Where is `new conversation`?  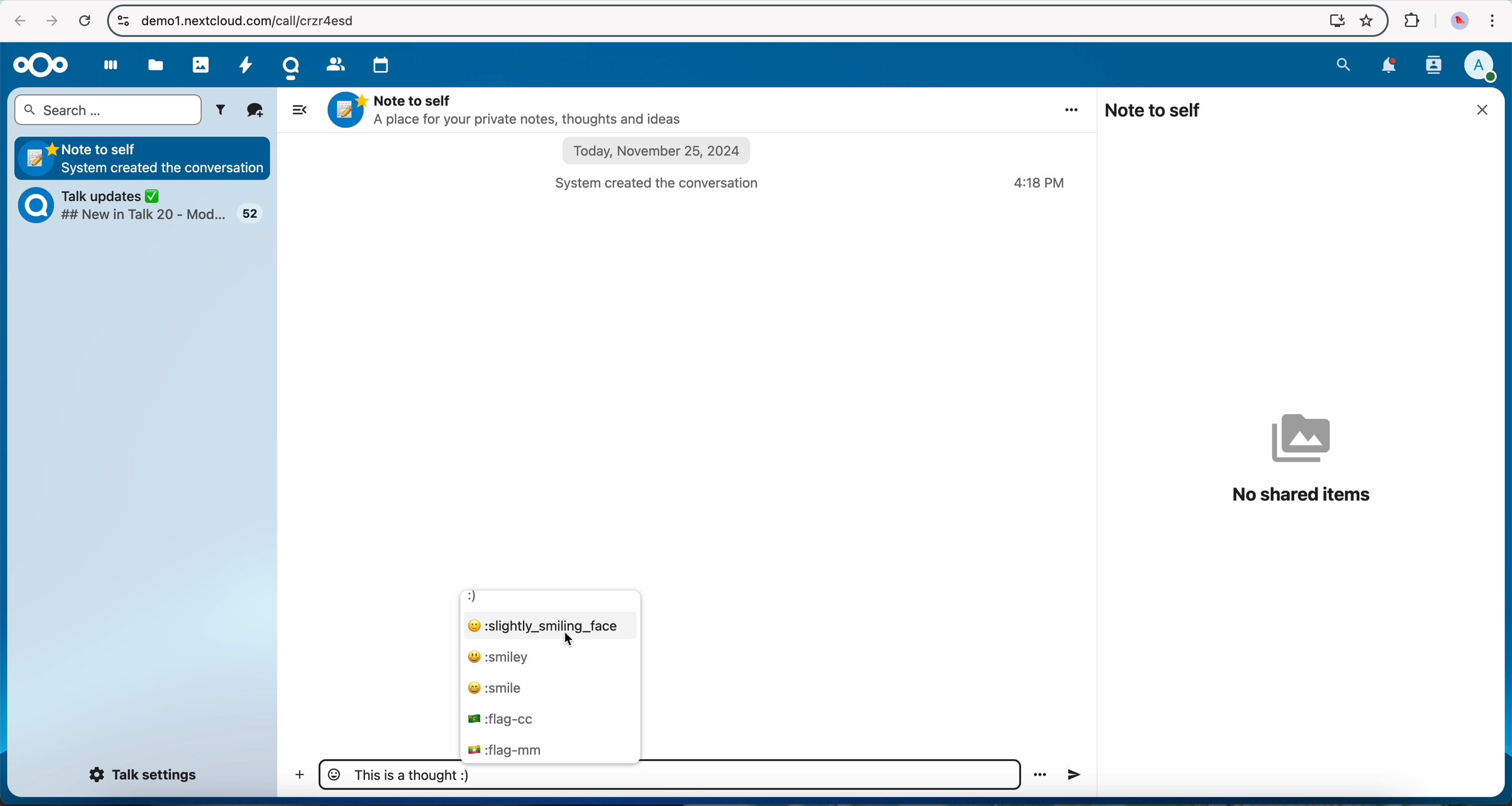 new conversation is located at coordinates (256, 111).